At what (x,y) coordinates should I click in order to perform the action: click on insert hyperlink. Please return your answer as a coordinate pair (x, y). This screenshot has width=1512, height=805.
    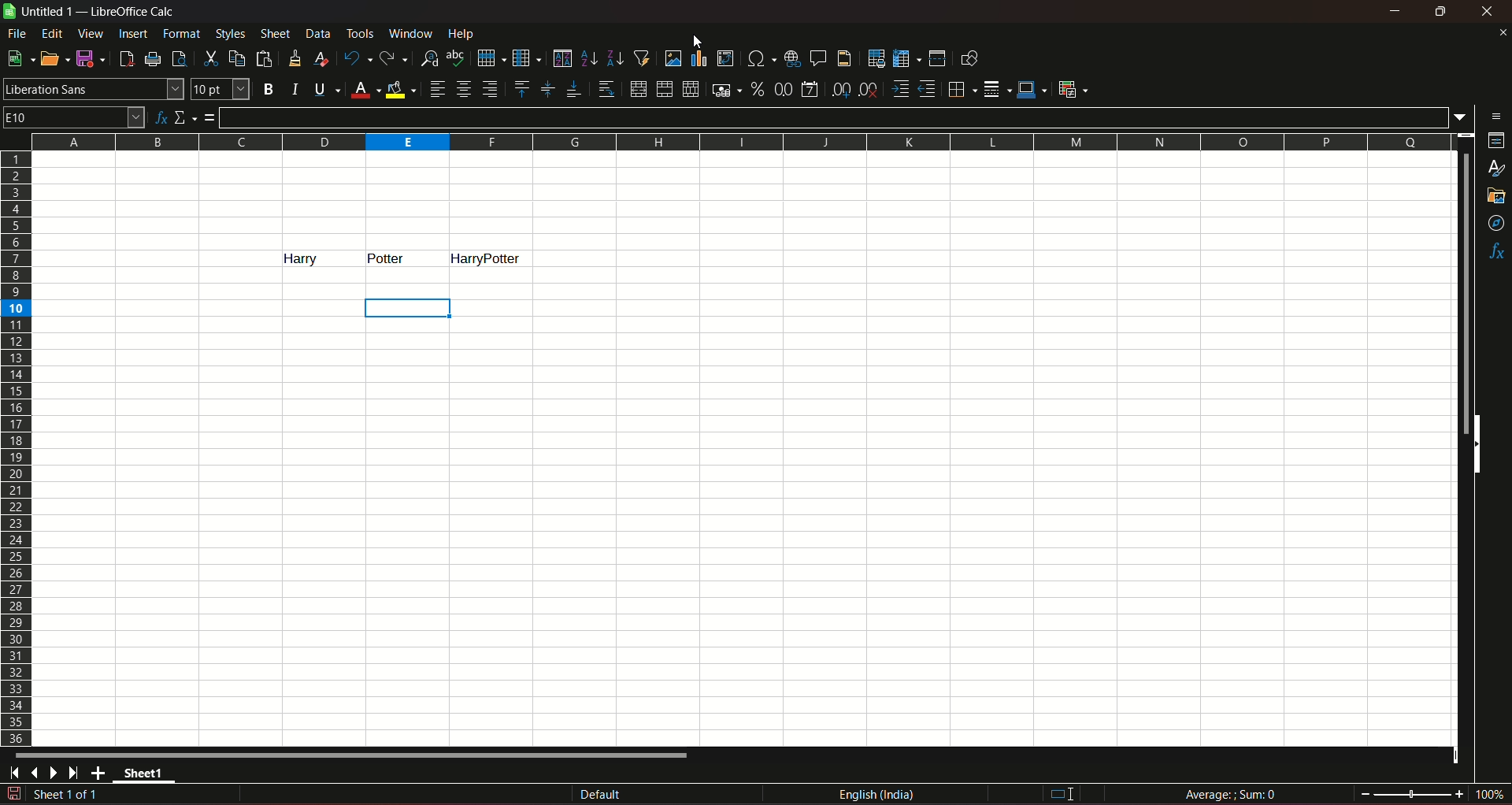
    Looking at the image, I should click on (790, 57).